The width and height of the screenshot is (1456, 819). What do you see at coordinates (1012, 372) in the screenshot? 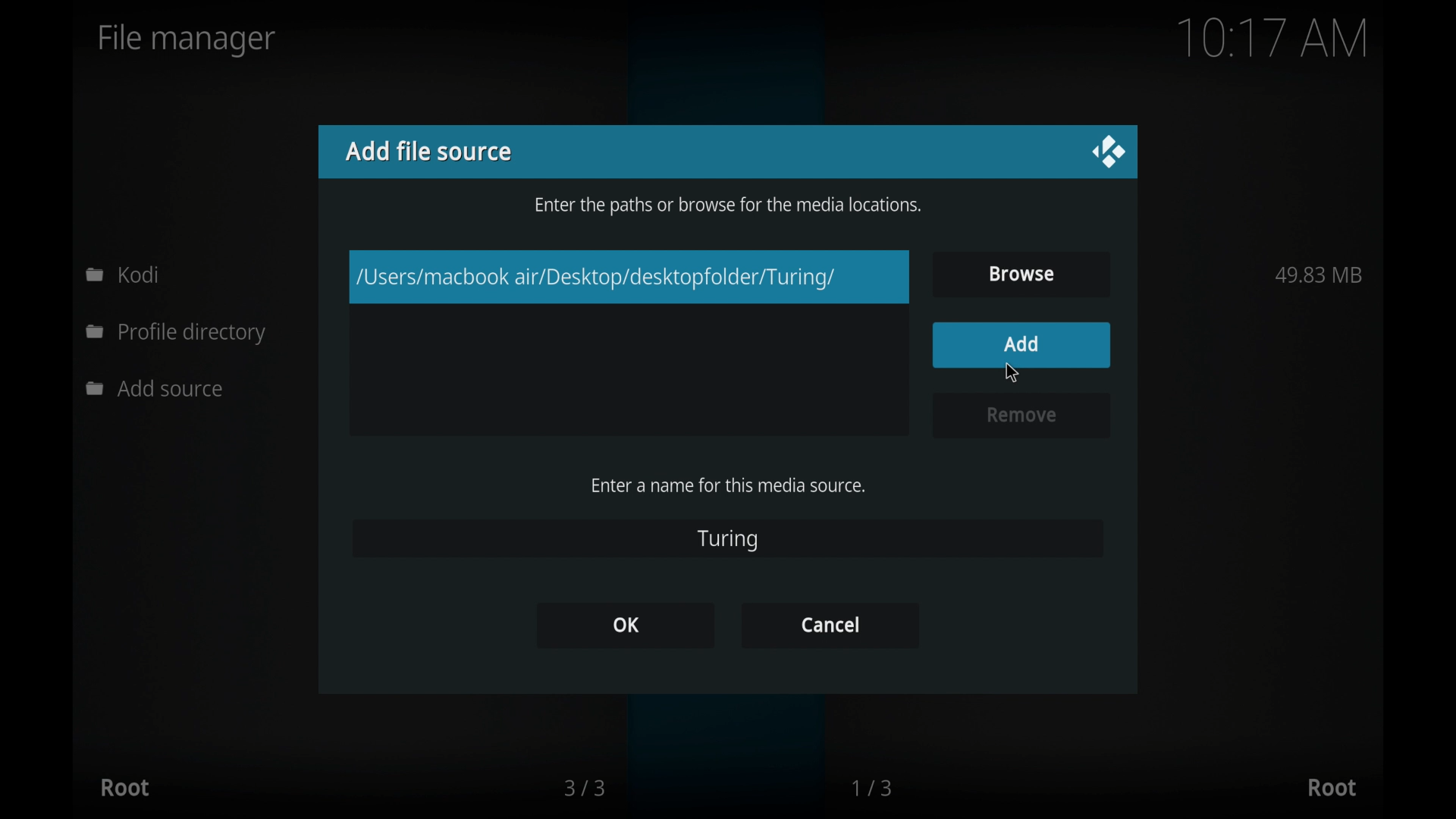
I see `cursor` at bounding box center [1012, 372].